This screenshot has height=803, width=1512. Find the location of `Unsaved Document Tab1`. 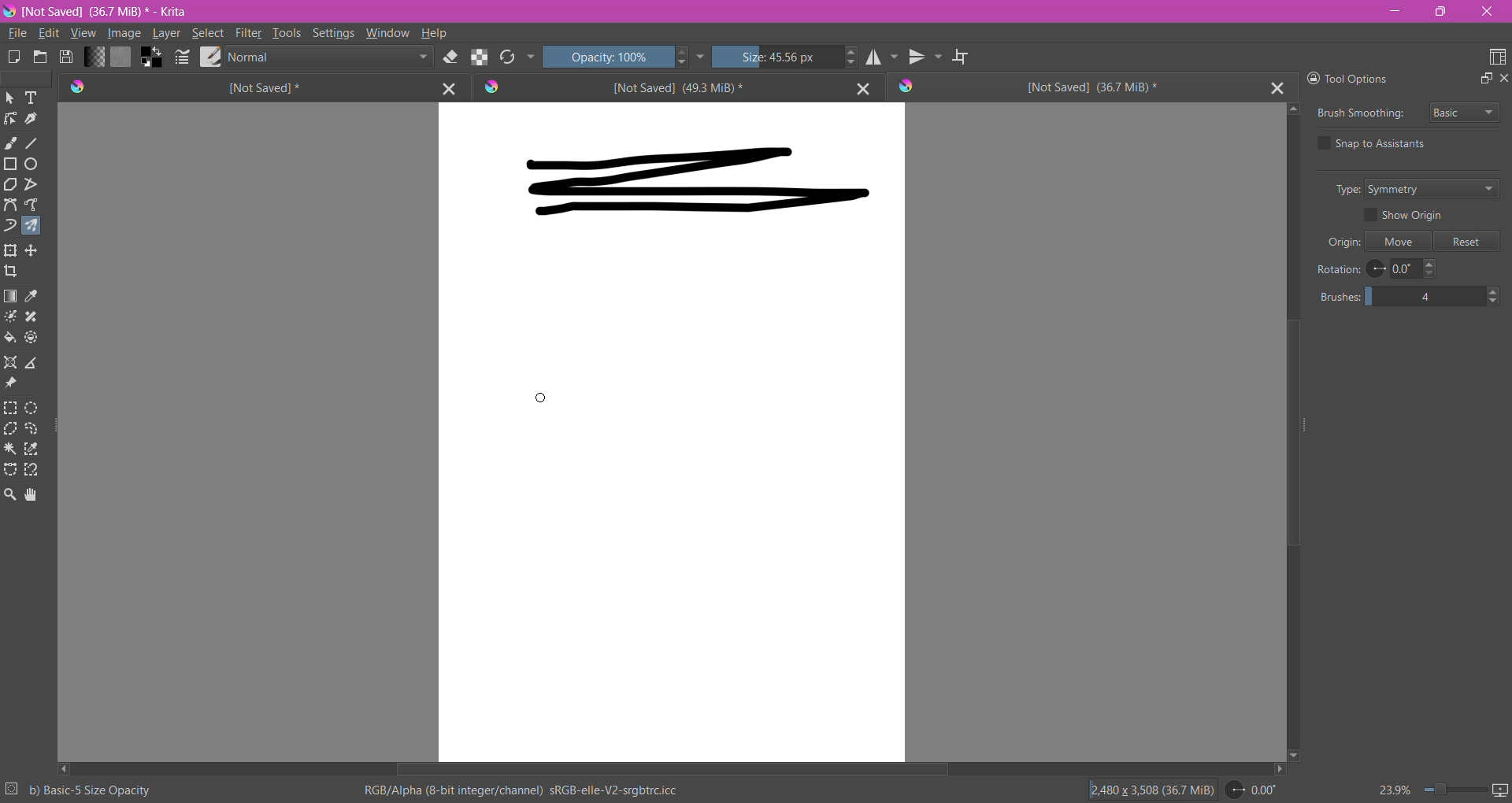

Unsaved Document Tab1 is located at coordinates (236, 87).